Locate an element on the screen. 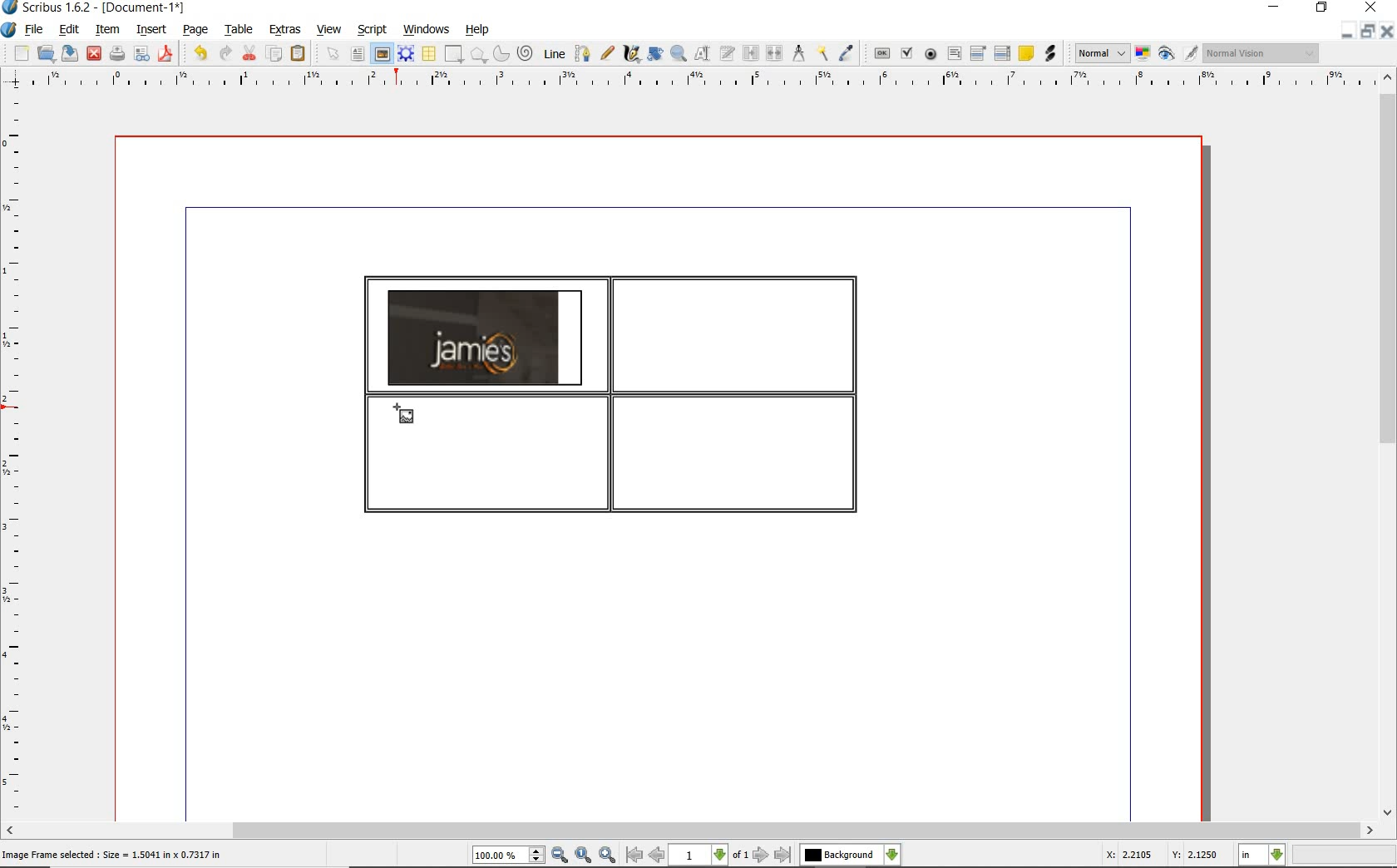 The height and width of the screenshot is (868, 1397). extras is located at coordinates (285, 30).